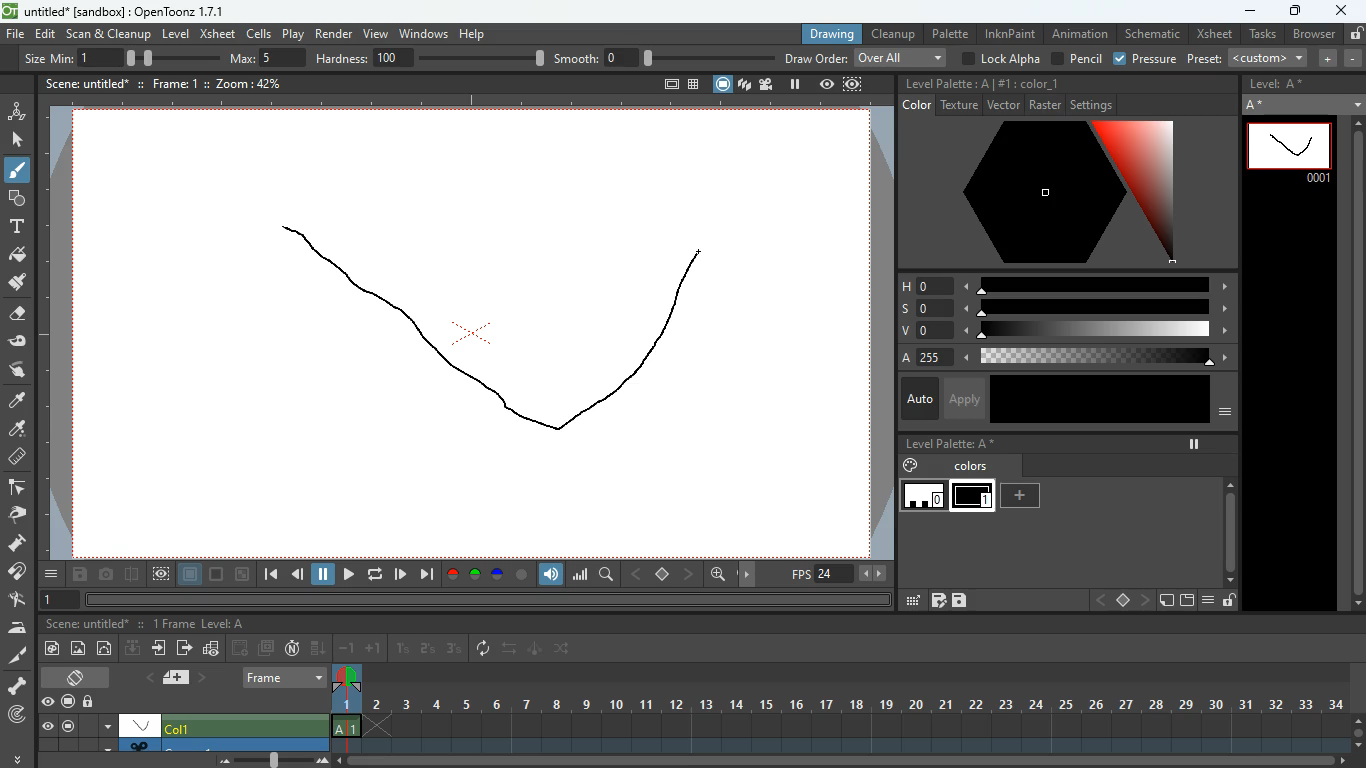 Image resolution: width=1366 pixels, height=768 pixels. What do you see at coordinates (1355, 33) in the screenshot?
I see `unlock` at bounding box center [1355, 33].